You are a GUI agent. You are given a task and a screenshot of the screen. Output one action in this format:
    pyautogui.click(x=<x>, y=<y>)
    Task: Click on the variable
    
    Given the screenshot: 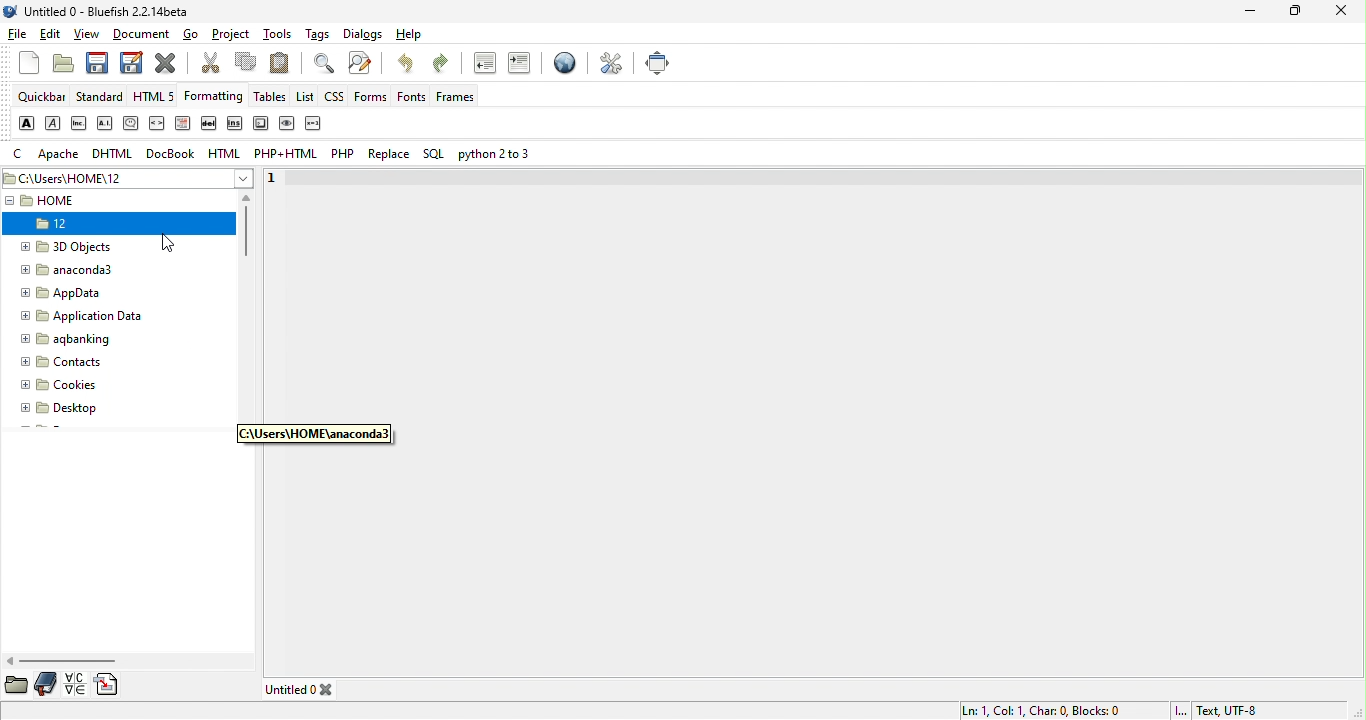 What is the action you would take?
    pyautogui.click(x=313, y=123)
    